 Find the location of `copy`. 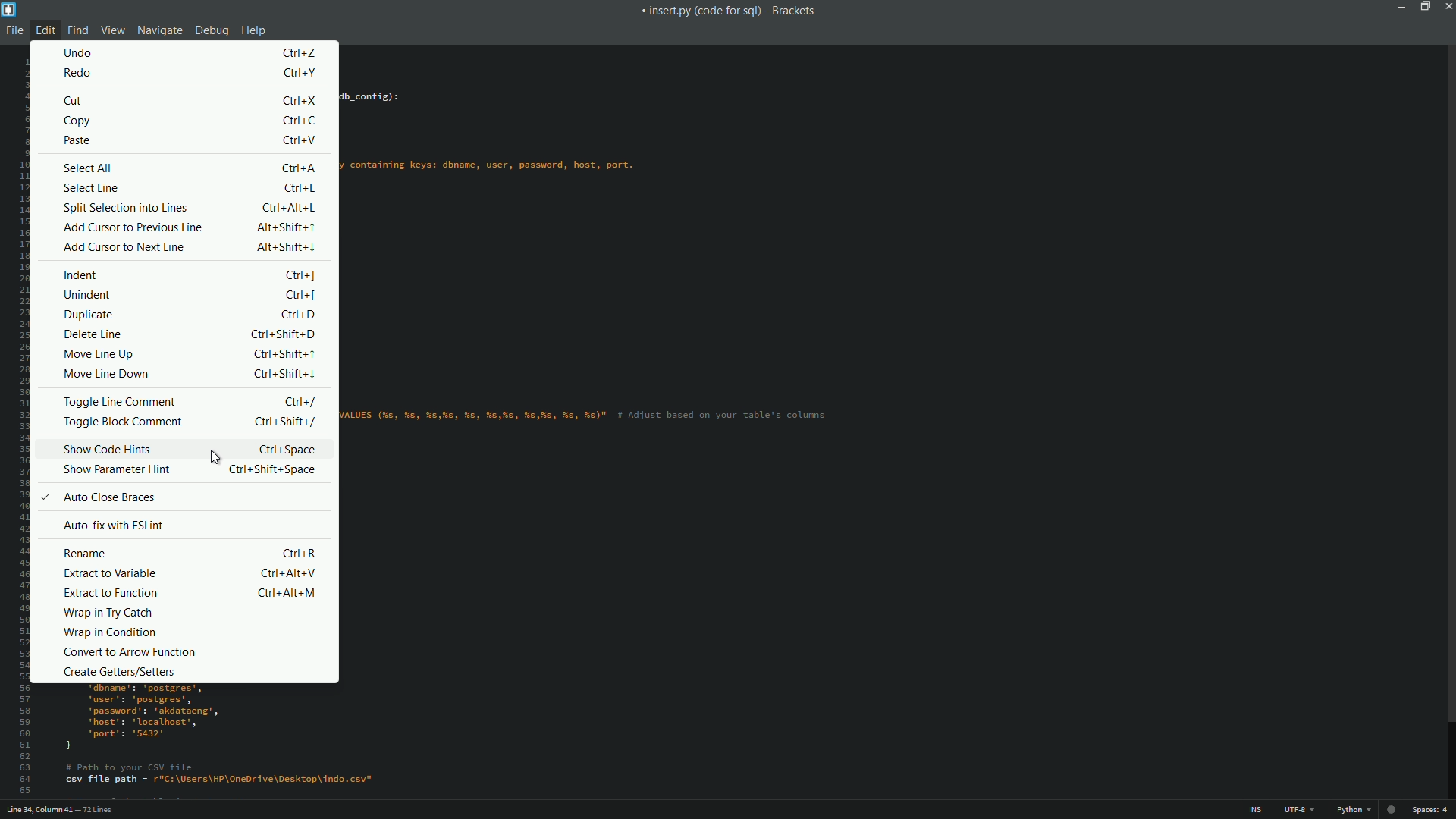

copy is located at coordinates (79, 122).